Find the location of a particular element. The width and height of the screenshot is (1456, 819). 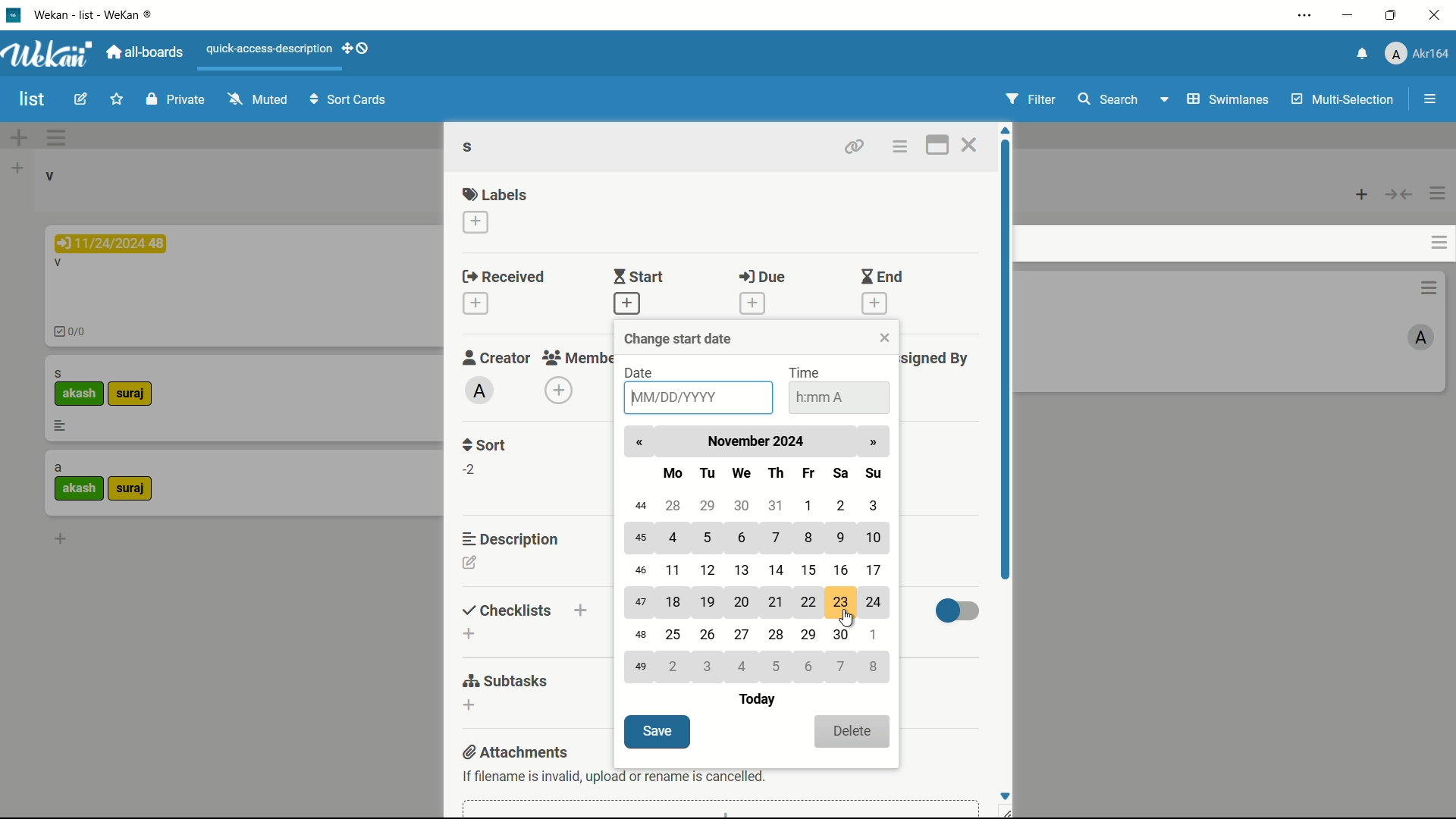

add receive date is located at coordinates (475, 303).